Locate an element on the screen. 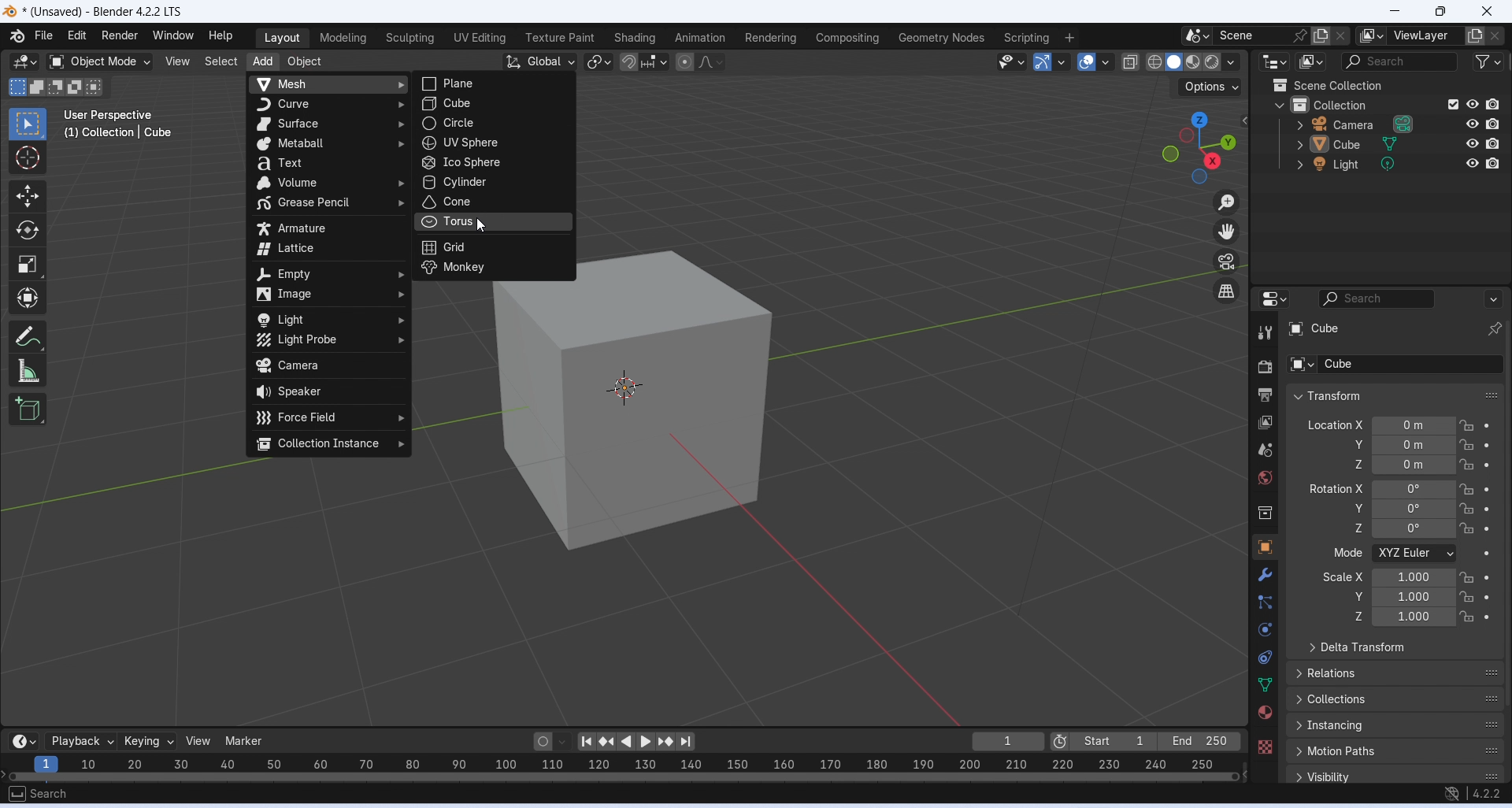 The height and width of the screenshot is (808, 1512). Rotation is located at coordinates (1432, 488).